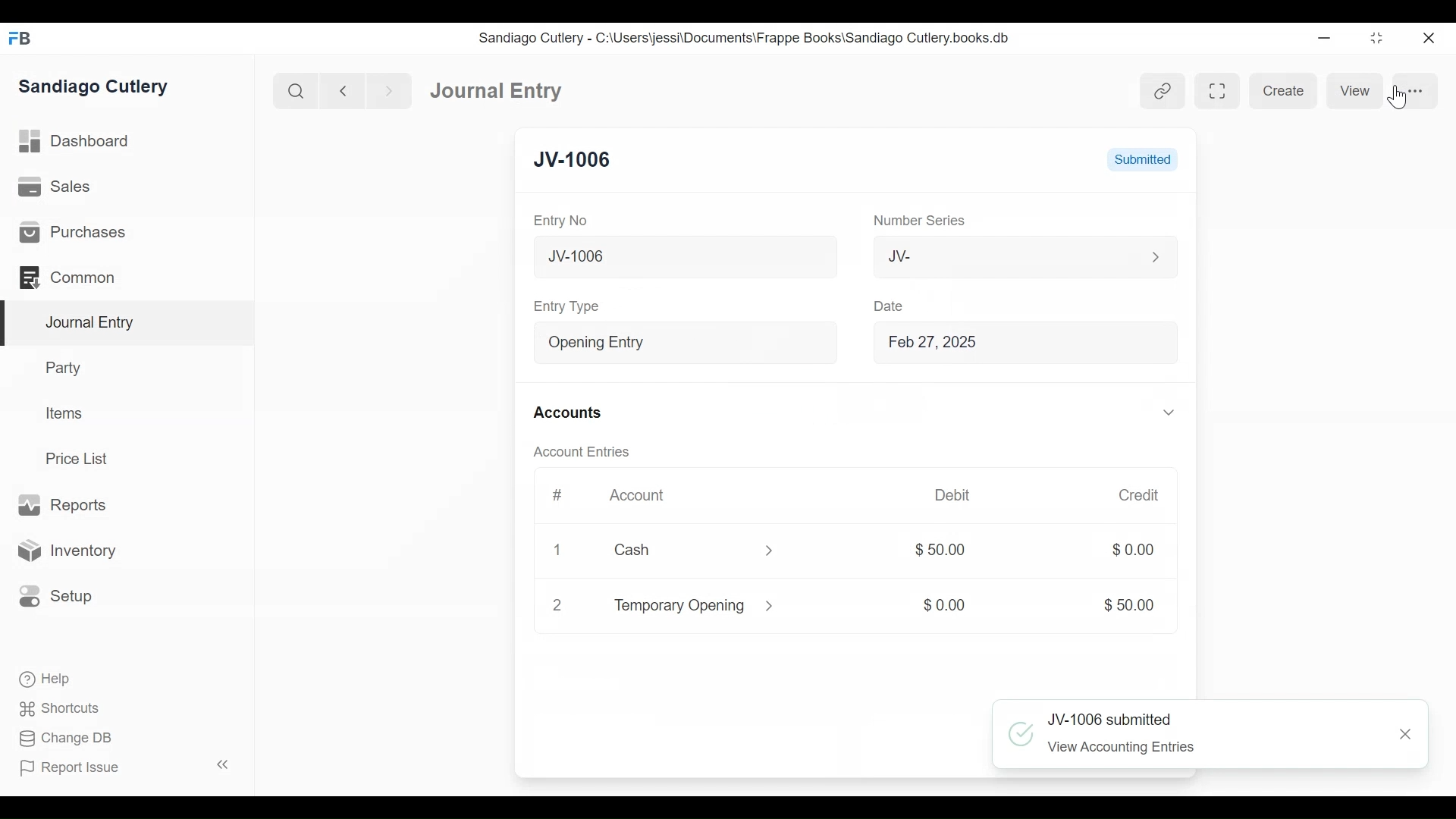  I want to click on View, so click(1356, 90).